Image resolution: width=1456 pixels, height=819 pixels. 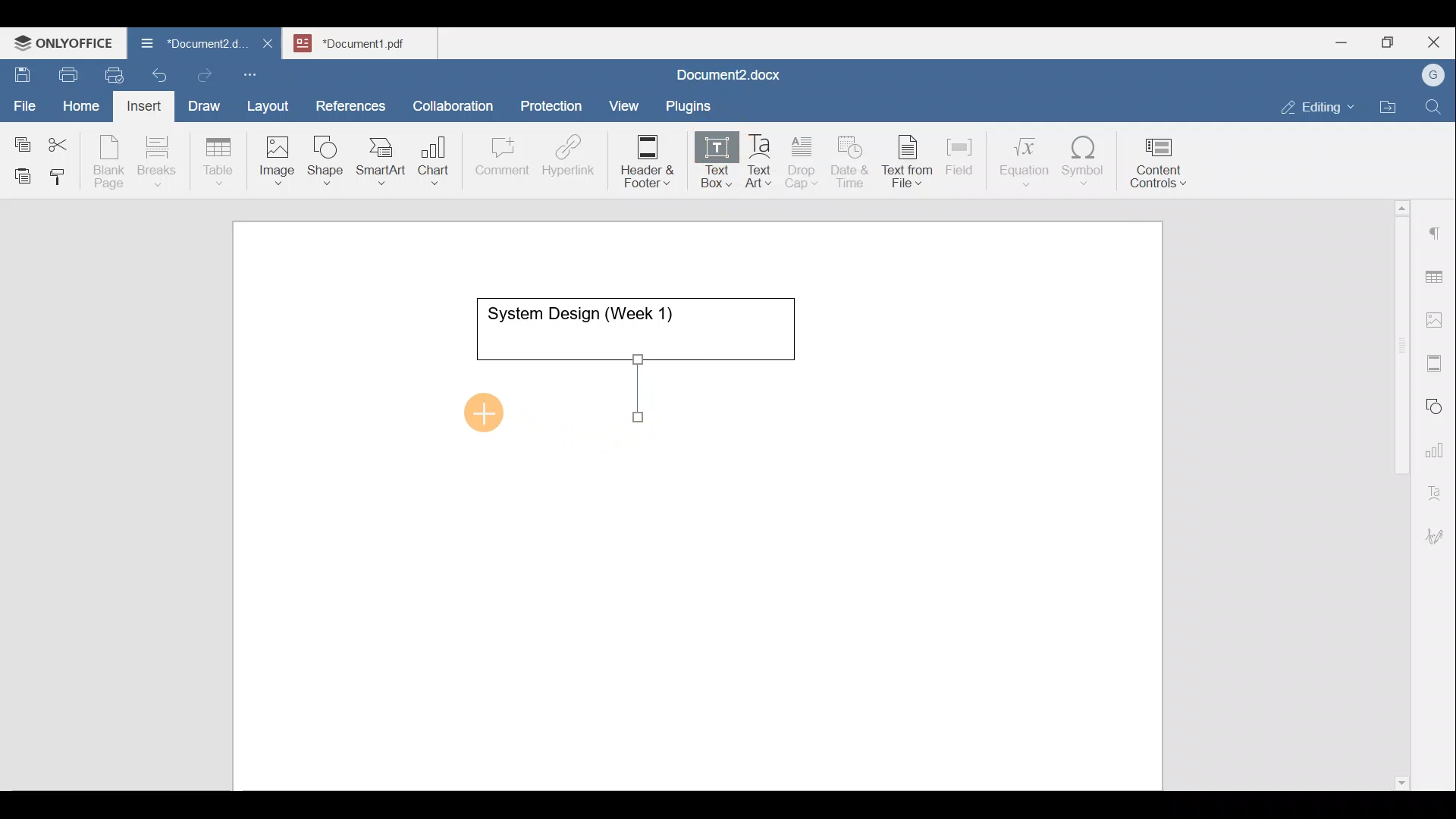 I want to click on Protection, so click(x=556, y=104).